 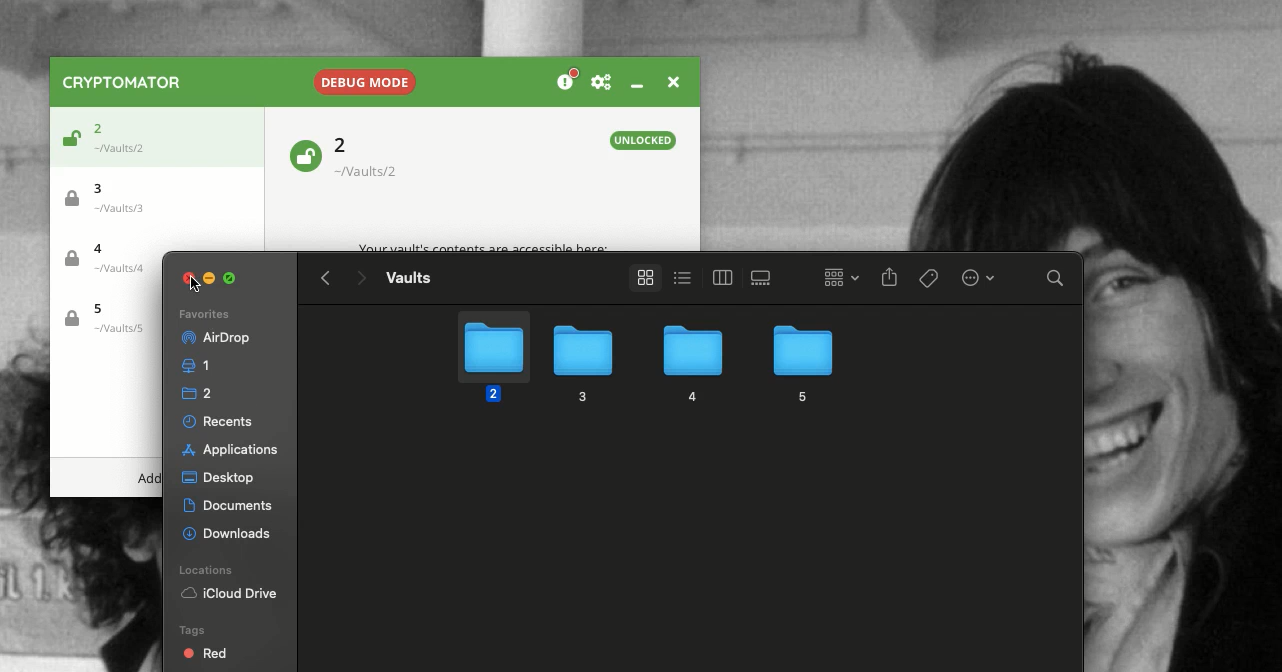 What do you see at coordinates (229, 503) in the screenshot?
I see `Downloads` at bounding box center [229, 503].